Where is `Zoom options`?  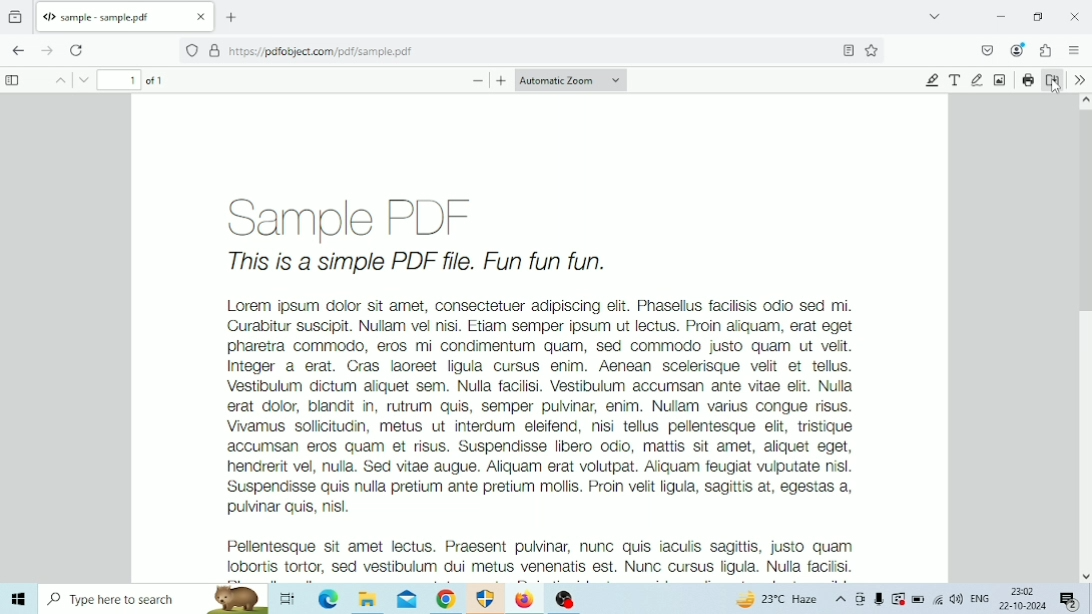 Zoom options is located at coordinates (570, 80).